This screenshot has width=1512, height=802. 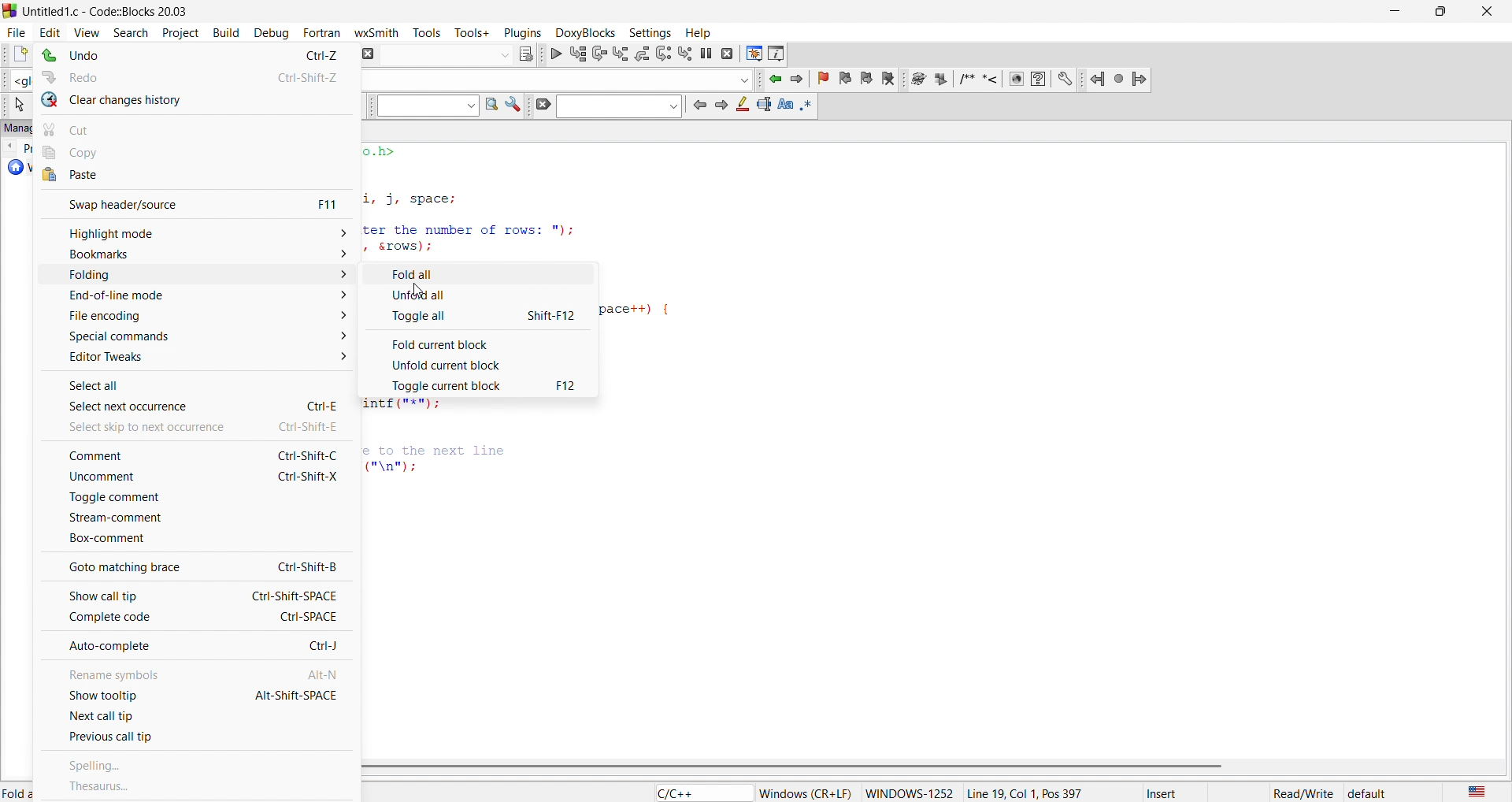 I want to click on select next occurence, so click(x=195, y=406).